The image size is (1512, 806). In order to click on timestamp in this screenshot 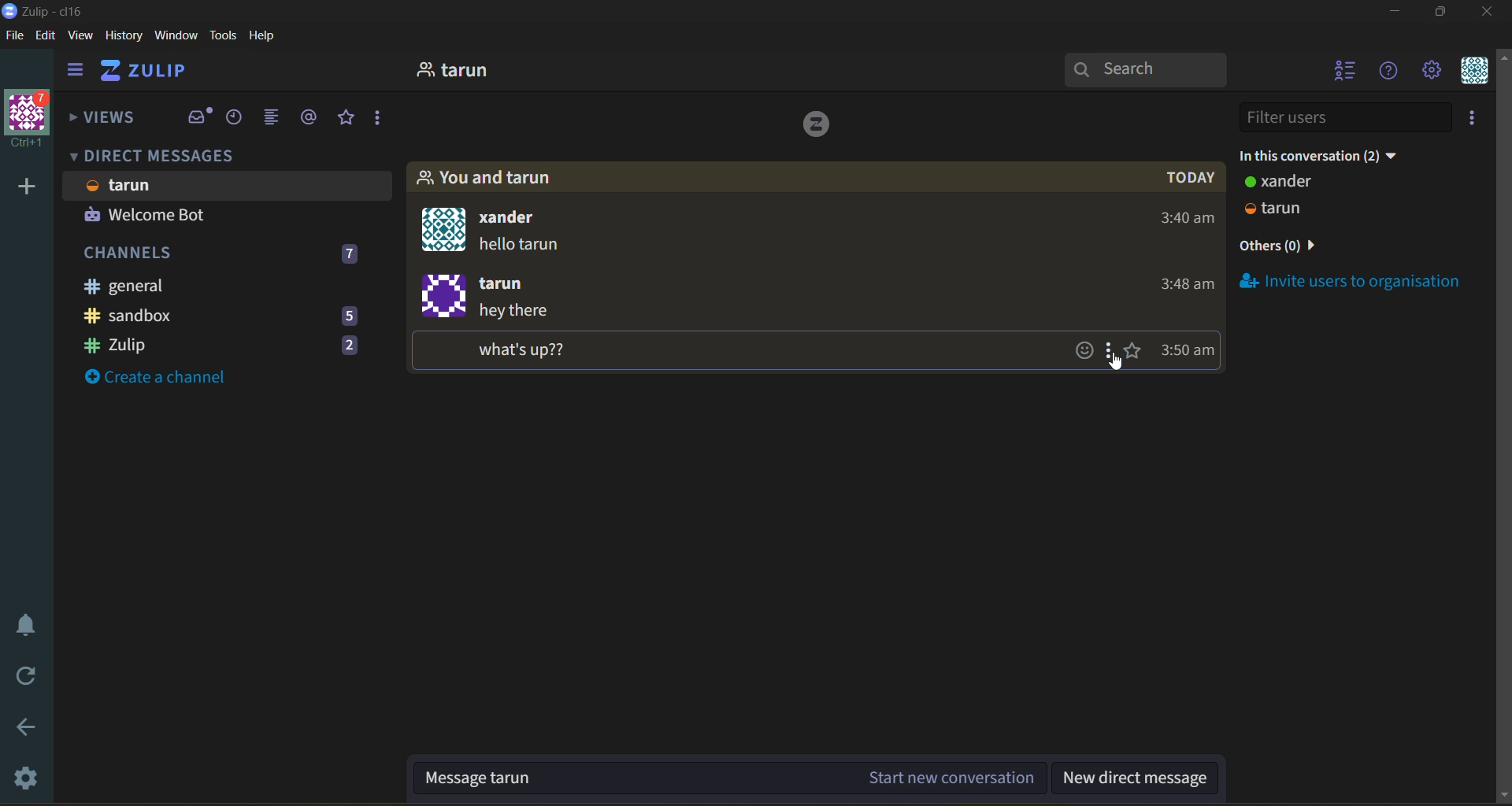, I will do `click(1177, 257)`.